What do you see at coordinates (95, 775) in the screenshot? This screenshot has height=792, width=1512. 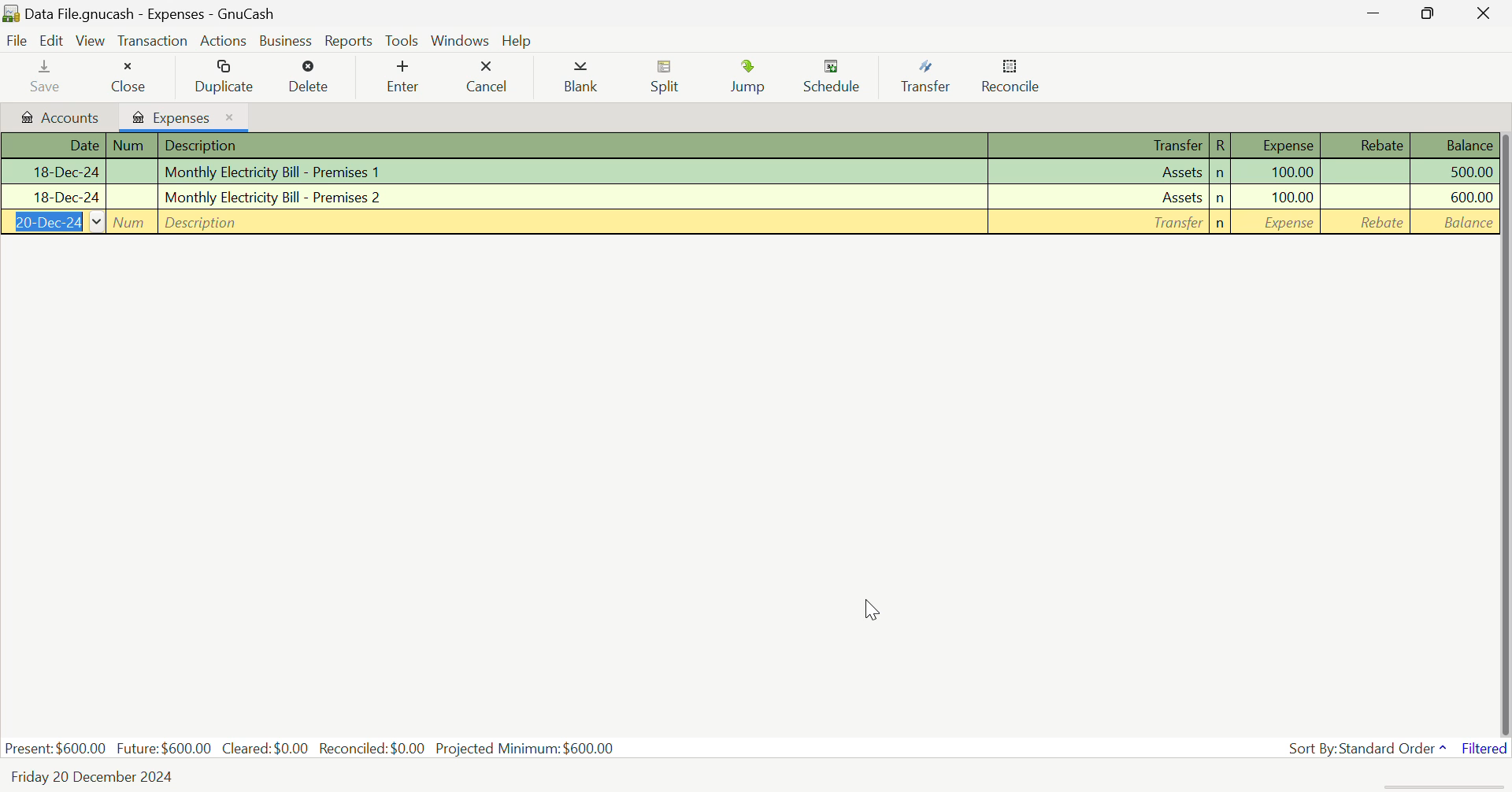 I see `Friday 20 December 2024` at bounding box center [95, 775].